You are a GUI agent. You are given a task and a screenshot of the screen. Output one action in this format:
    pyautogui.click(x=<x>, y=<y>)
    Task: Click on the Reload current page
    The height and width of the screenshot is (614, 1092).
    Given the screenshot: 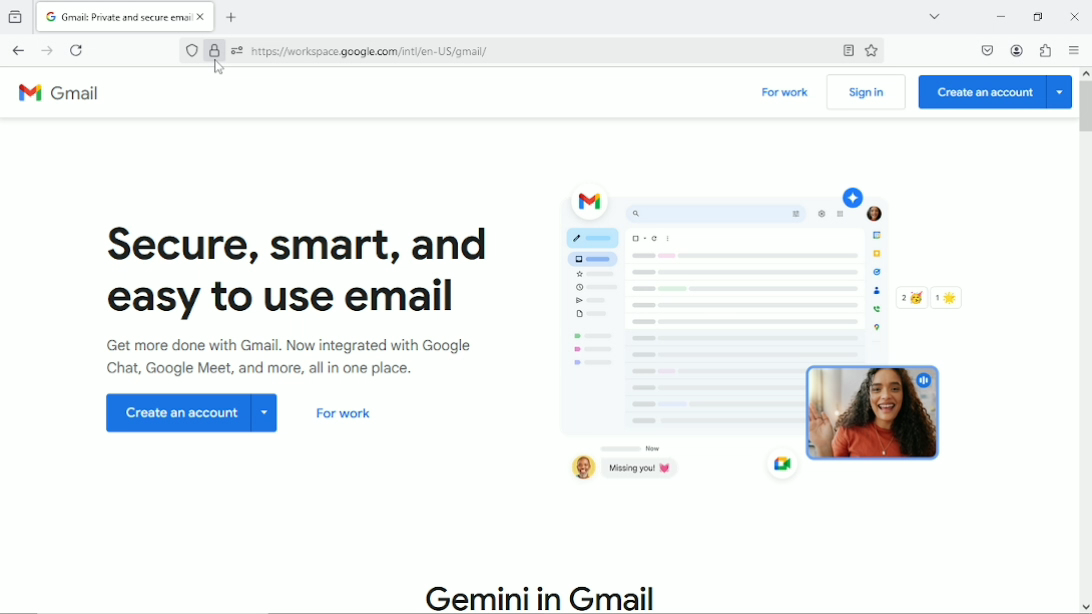 What is the action you would take?
    pyautogui.click(x=77, y=50)
    